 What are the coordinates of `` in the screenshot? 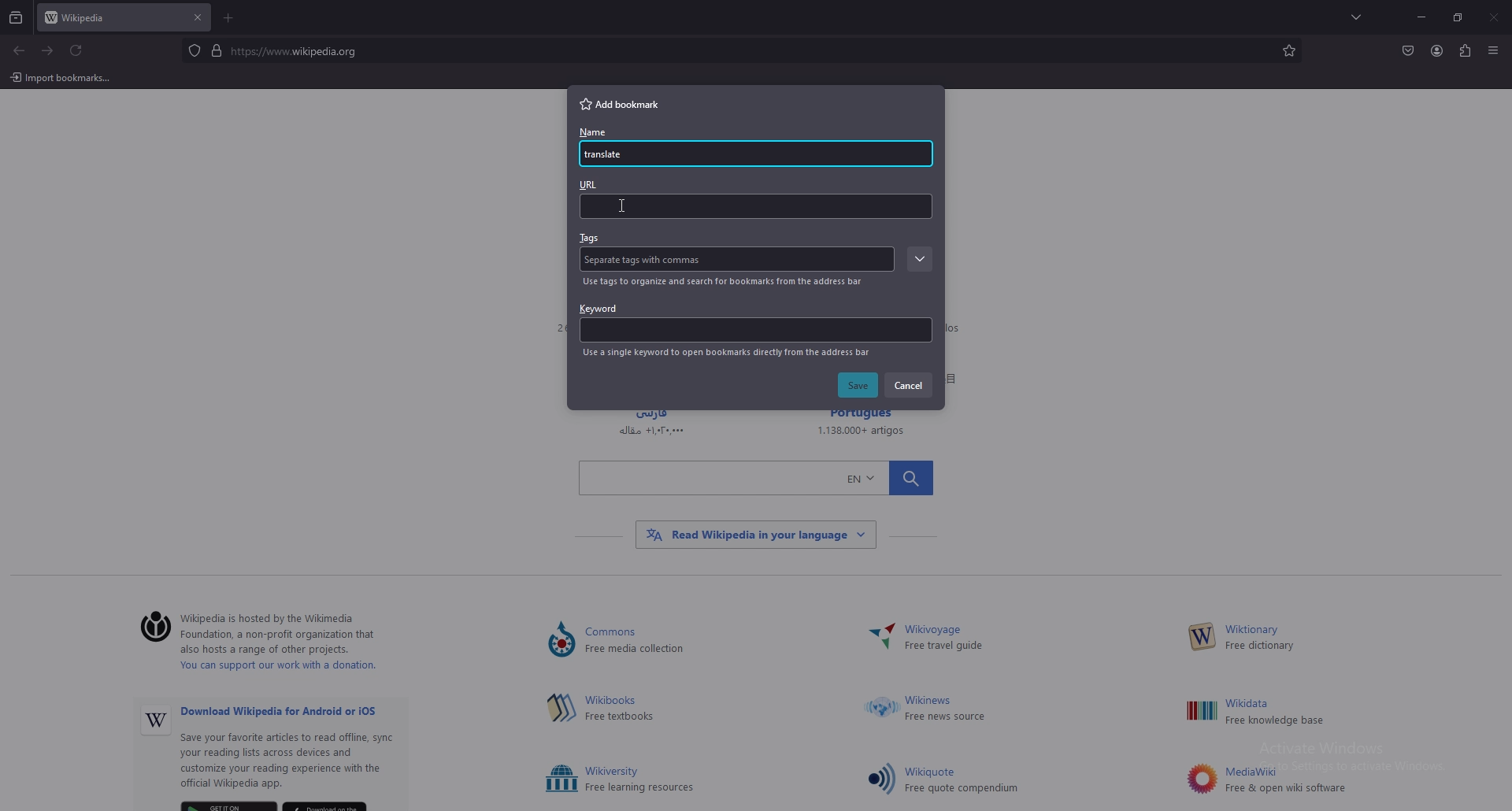 It's located at (879, 639).